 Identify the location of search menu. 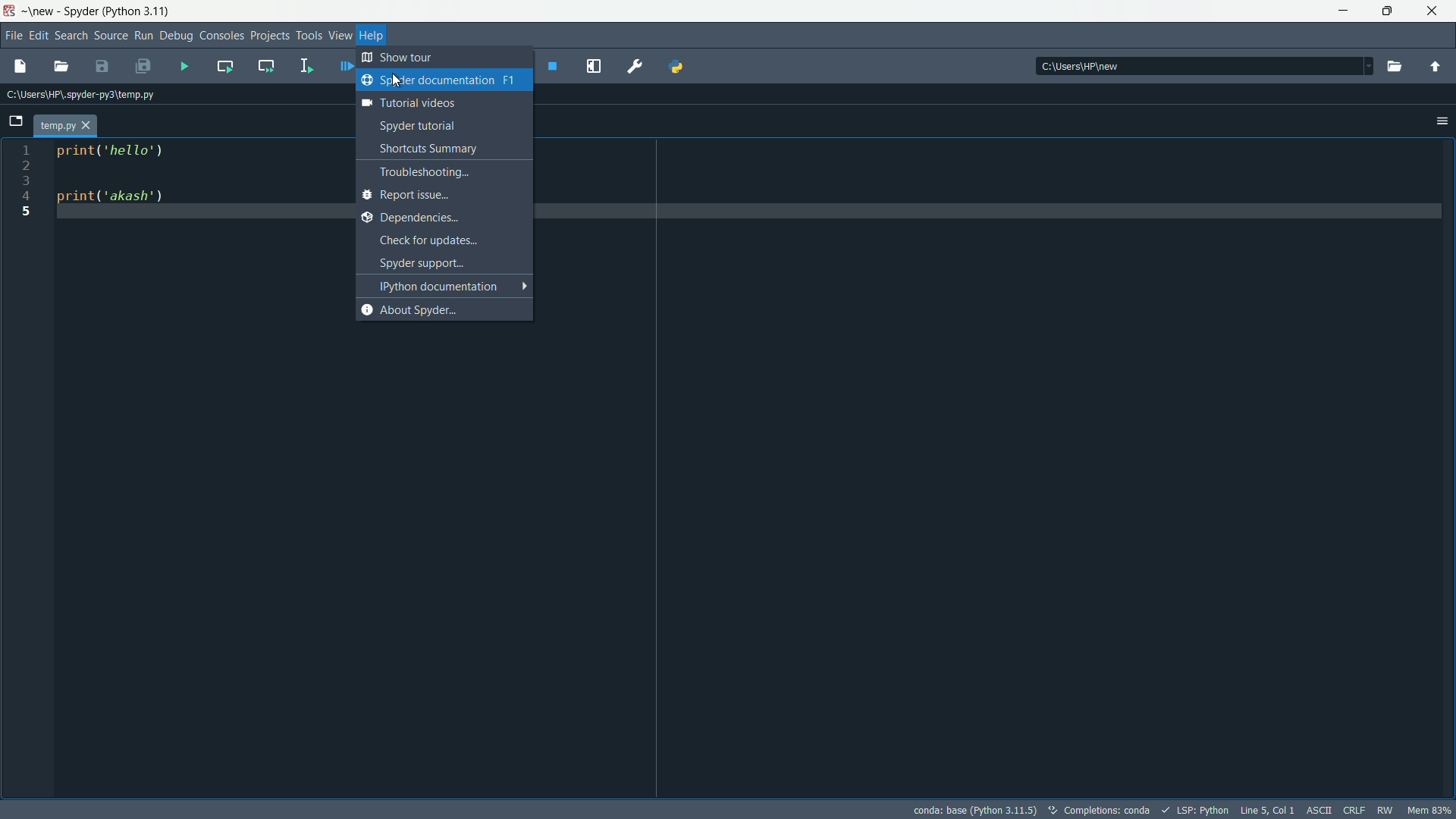
(71, 37).